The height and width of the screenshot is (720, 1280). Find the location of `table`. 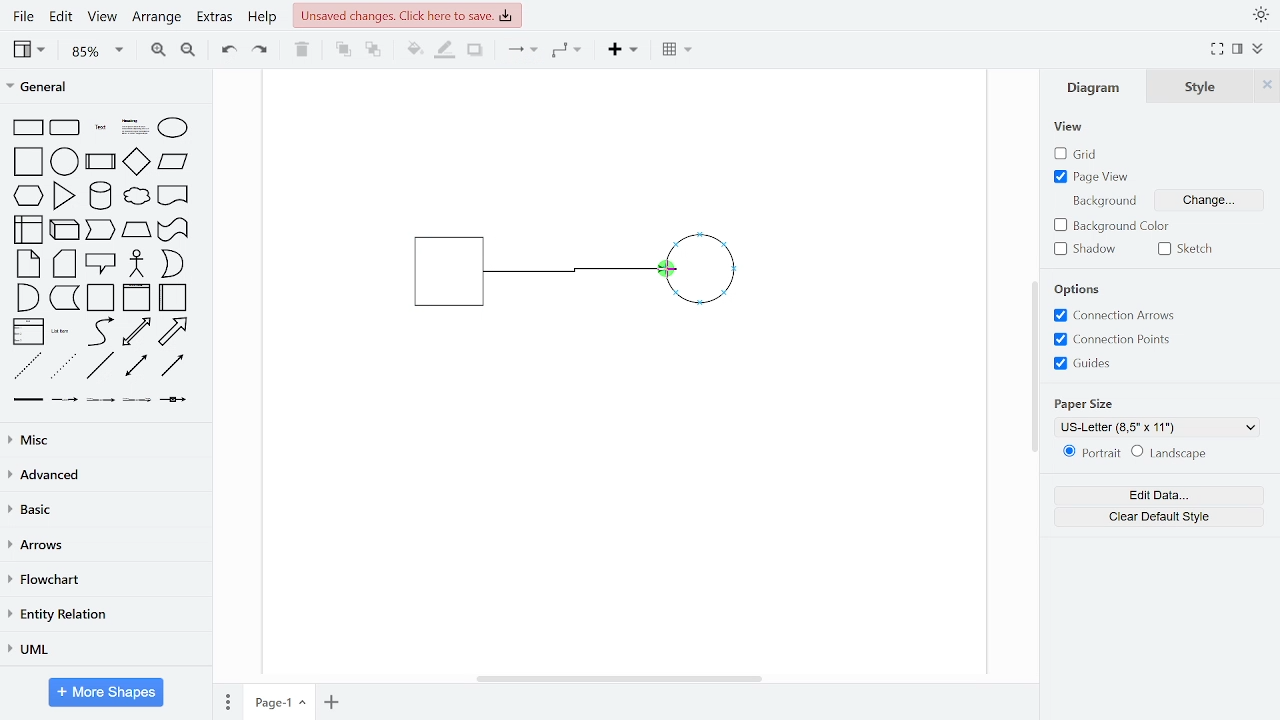

table is located at coordinates (679, 51).